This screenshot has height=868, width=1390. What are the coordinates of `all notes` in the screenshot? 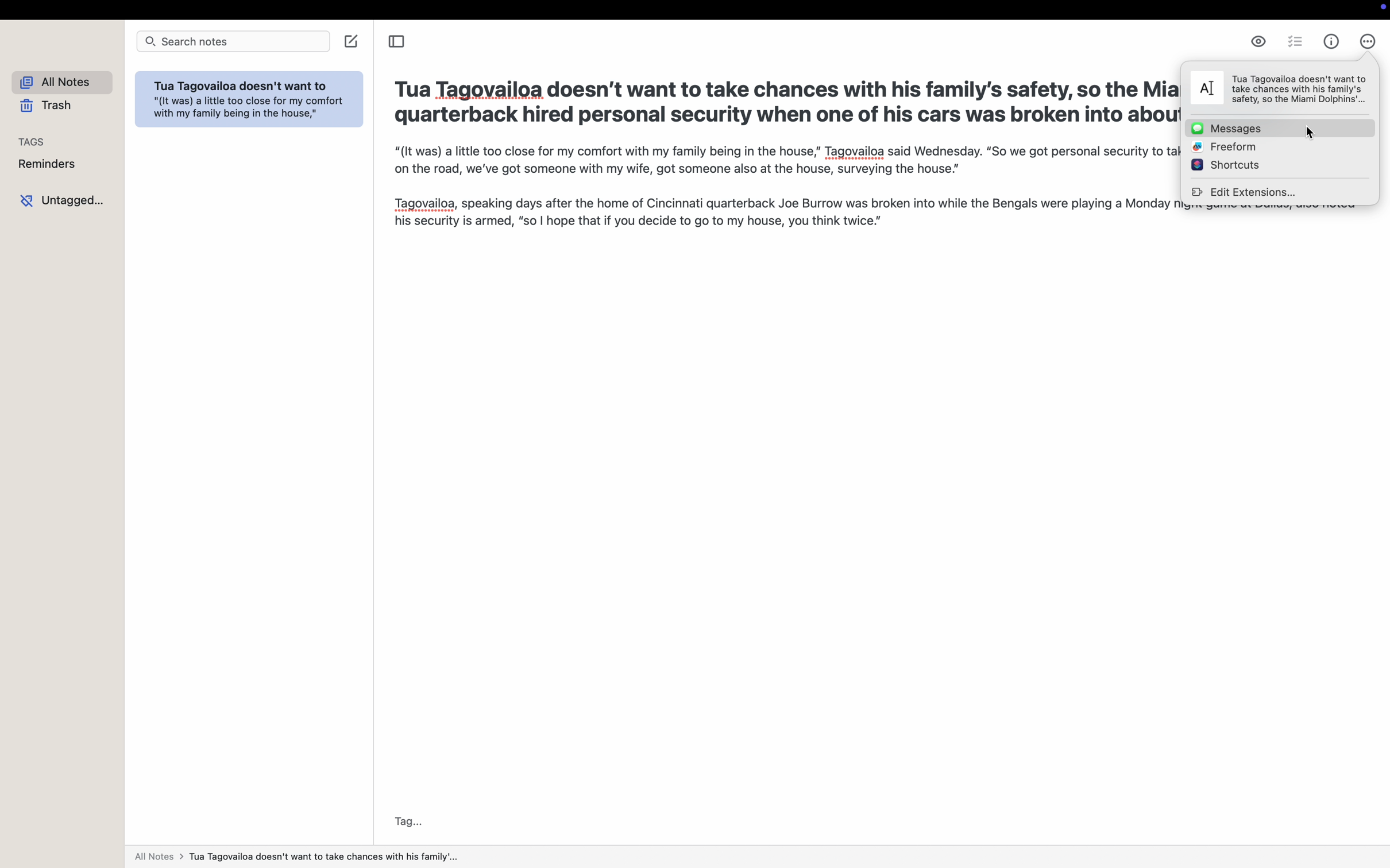 It's located at (57, 82).